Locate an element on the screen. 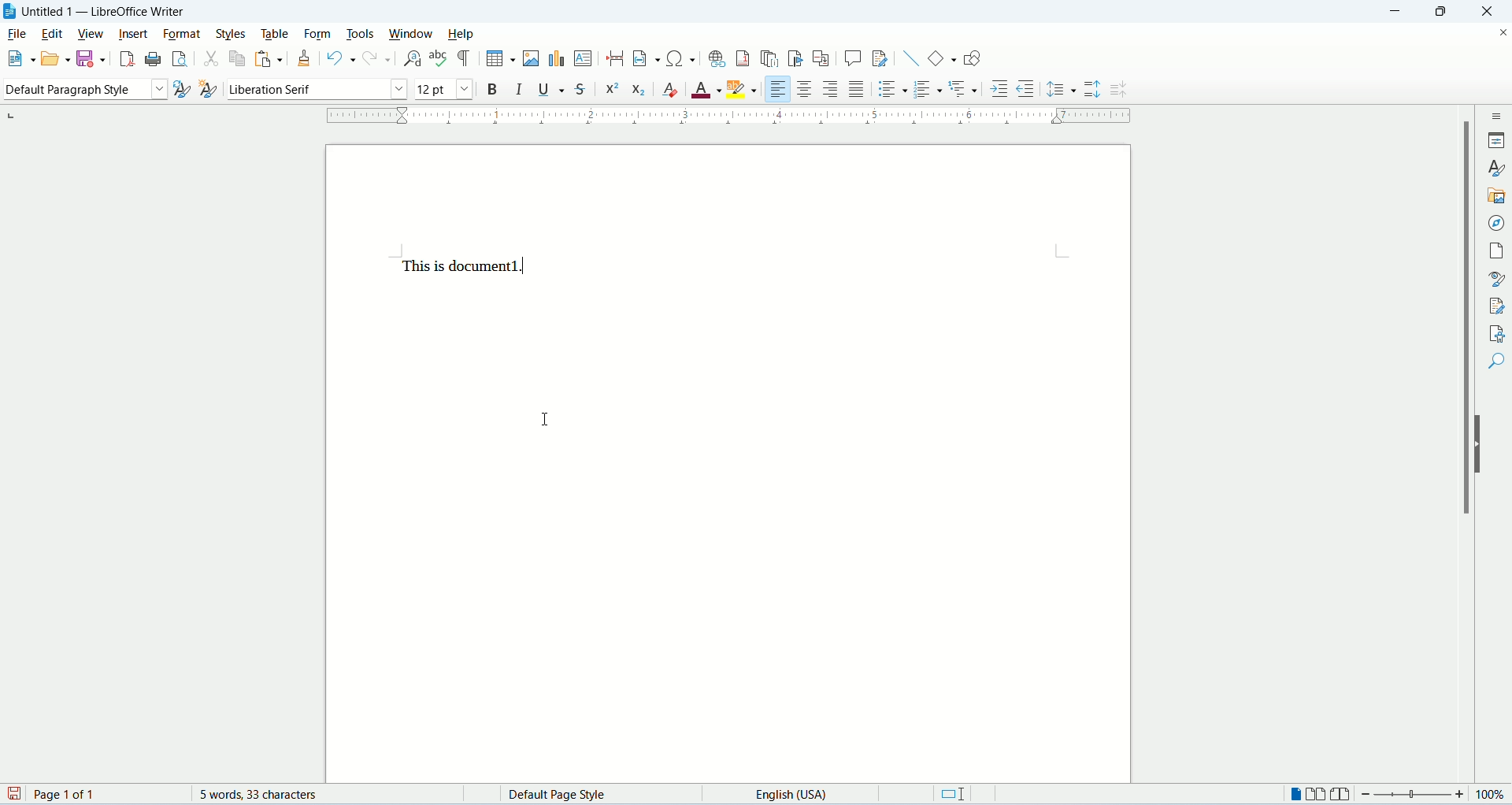 The width and height of the screenshot is (1512, 805). increase indent is located at coordinates (998, 91).